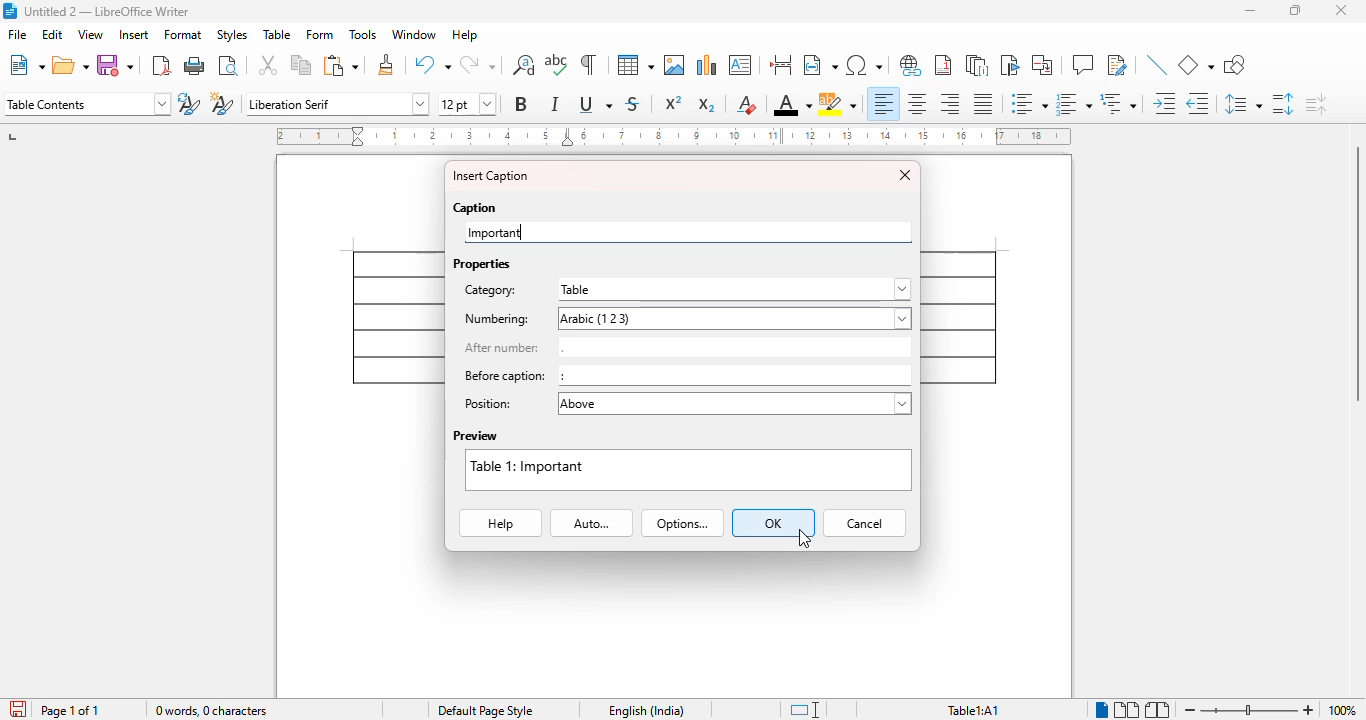  I want to click on close, so click(1341, 10).